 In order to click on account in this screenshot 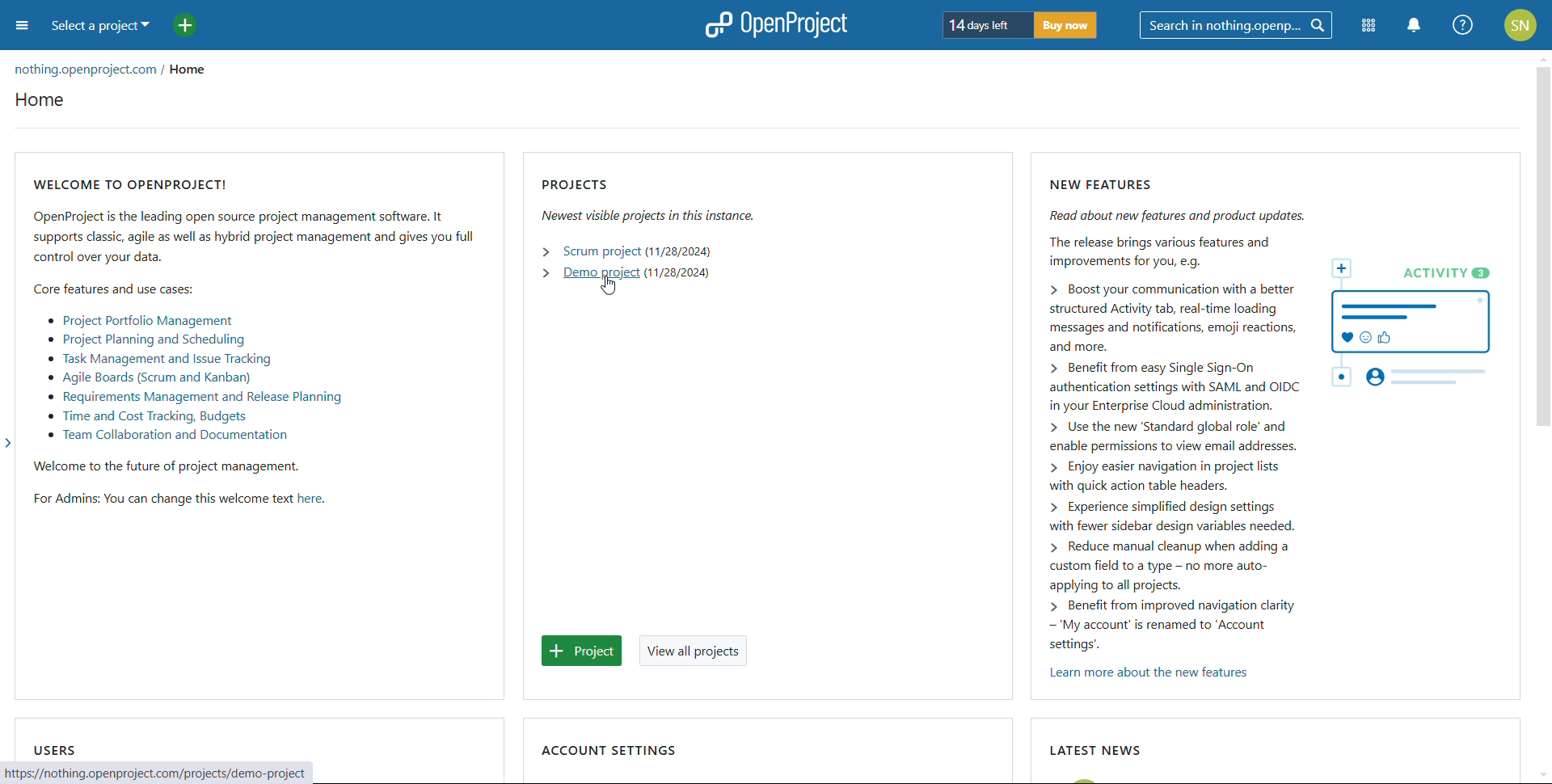, I will do `click(1520, 24)`.